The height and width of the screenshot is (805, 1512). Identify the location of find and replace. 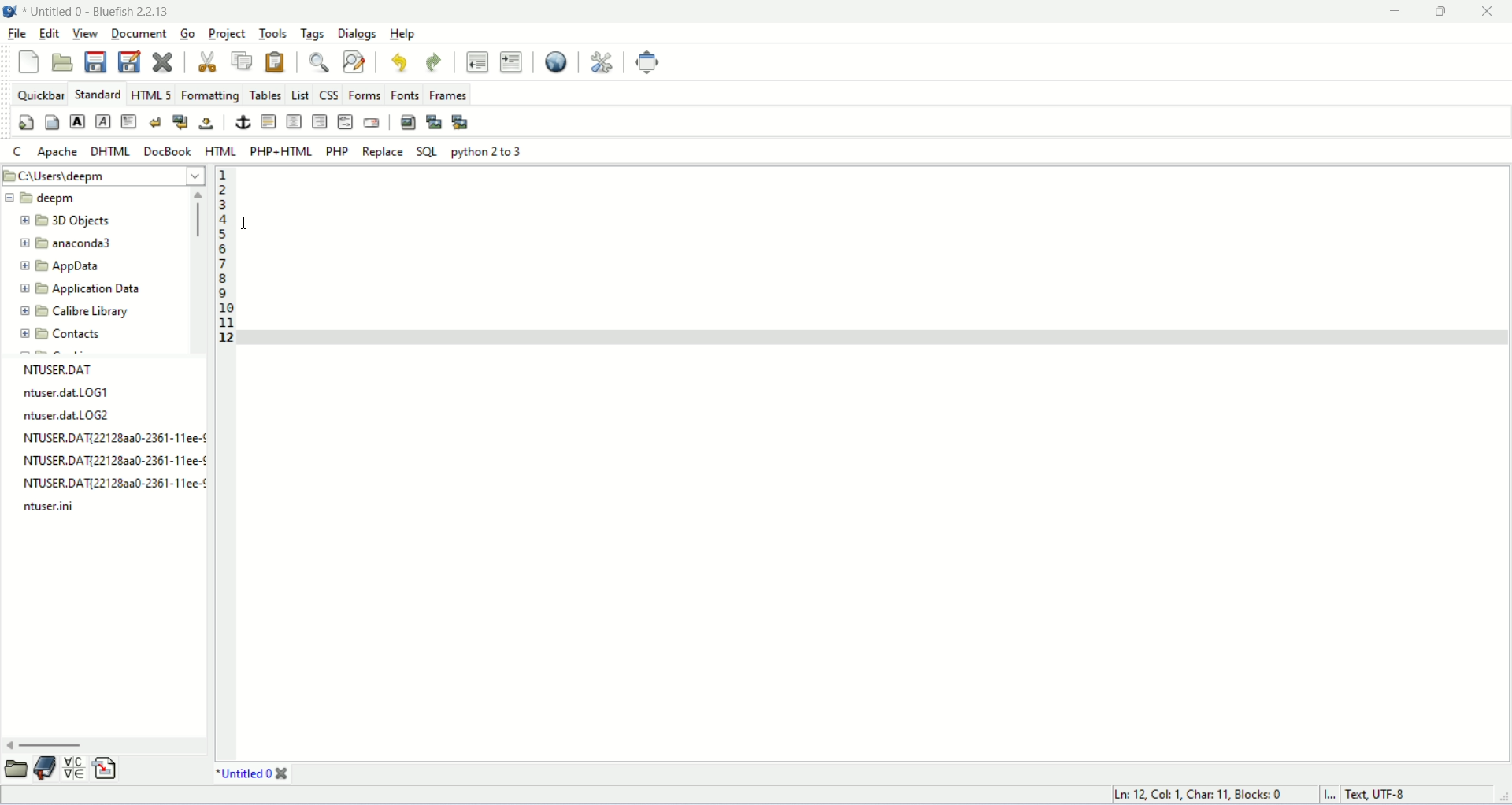
(352, 61).